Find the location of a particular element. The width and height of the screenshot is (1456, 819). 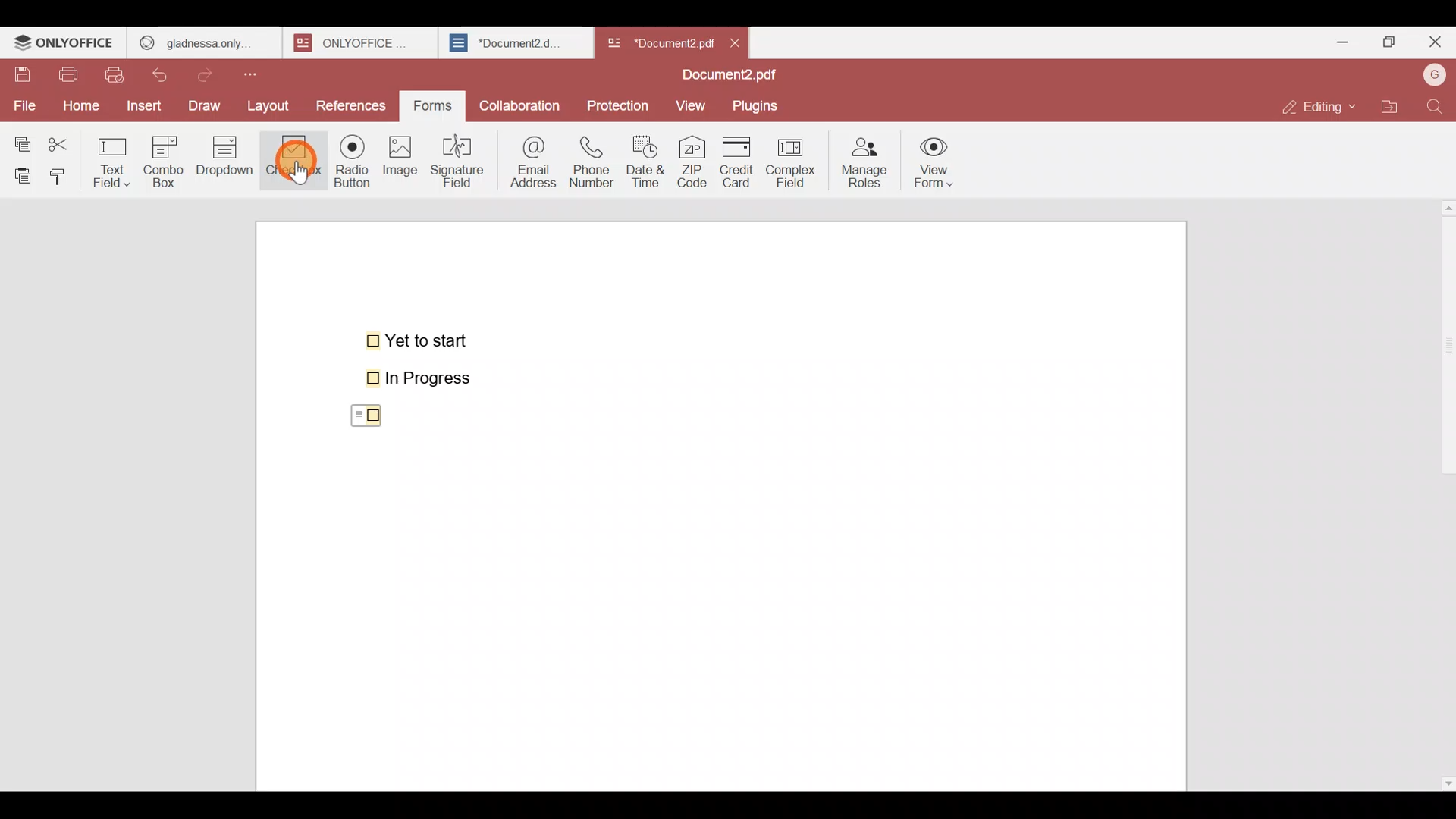

Manage roles is located at coordinates (864, 158).